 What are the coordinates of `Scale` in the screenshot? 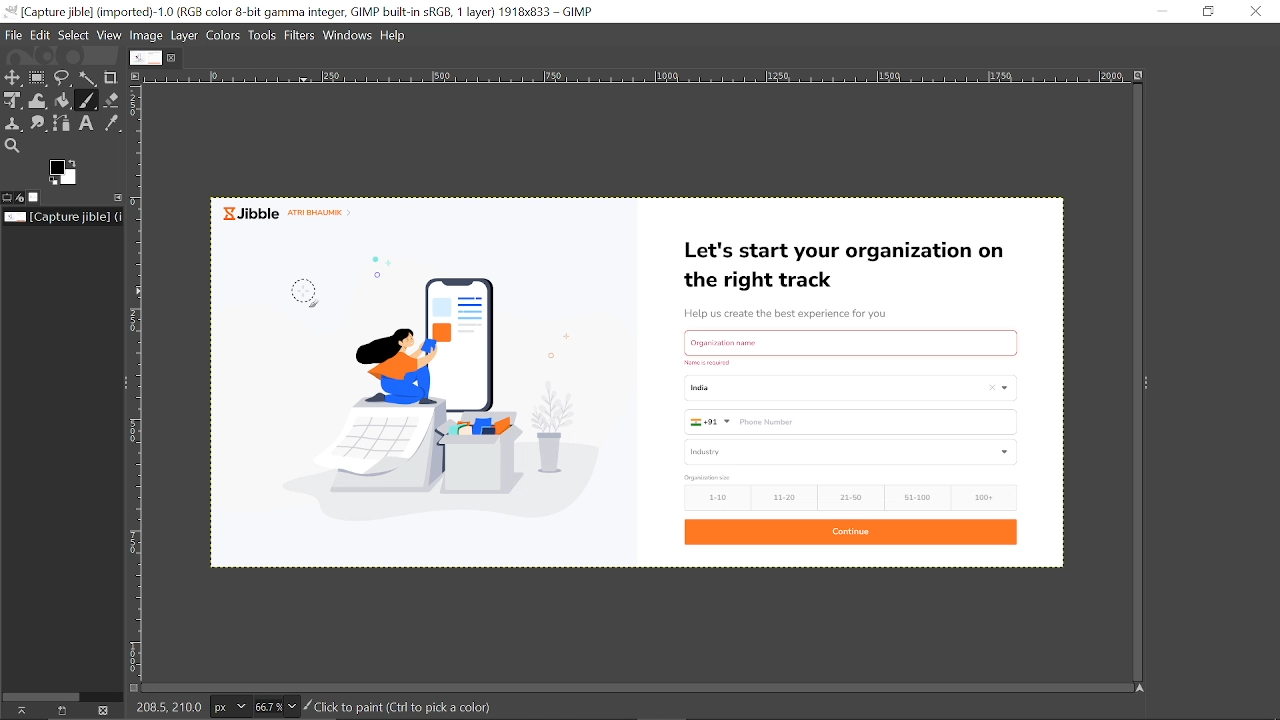 It's located at (639, 78).